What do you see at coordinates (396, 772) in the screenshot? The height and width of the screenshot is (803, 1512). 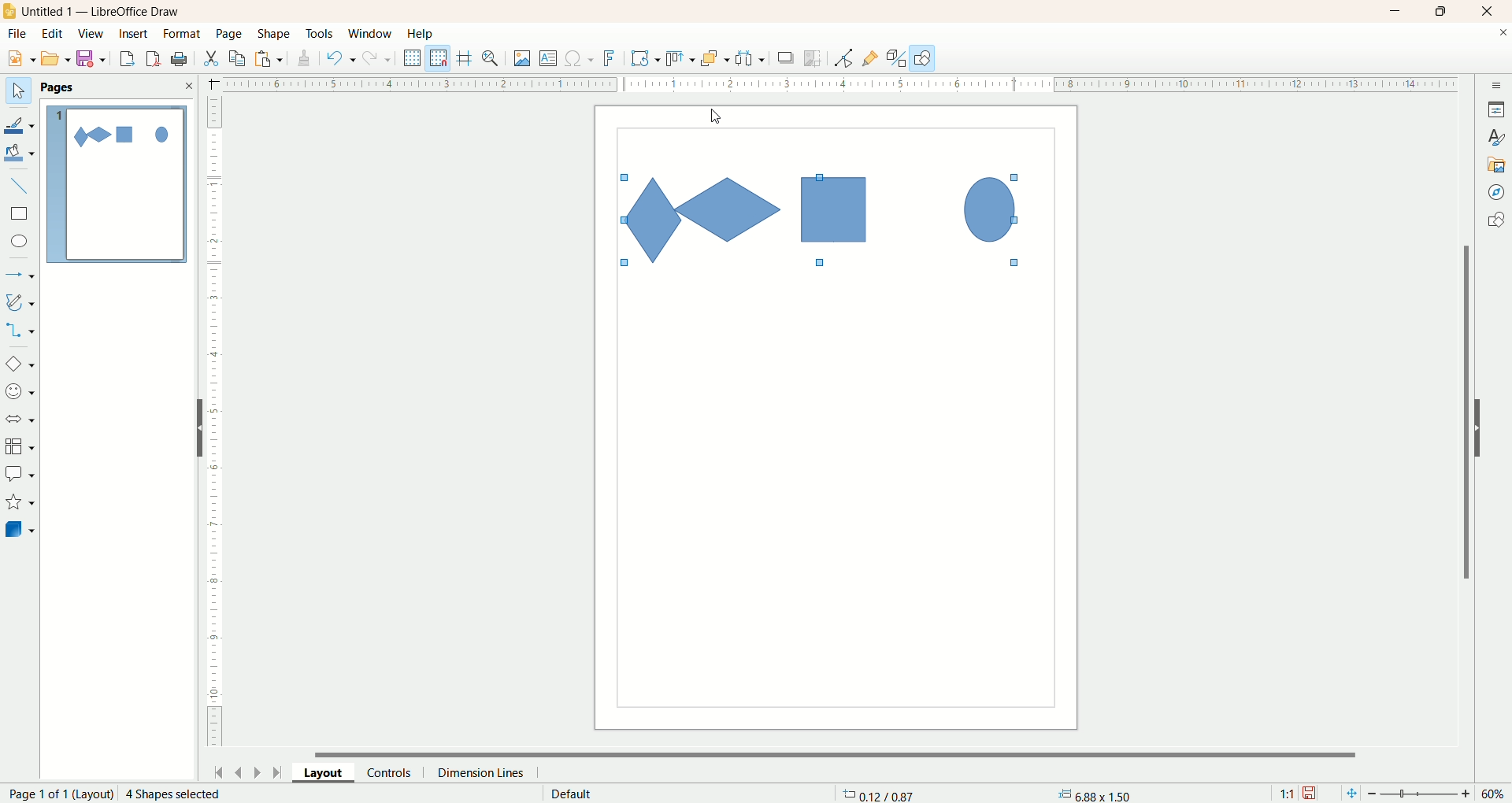 I see `control` at bounding box center [396, 772].